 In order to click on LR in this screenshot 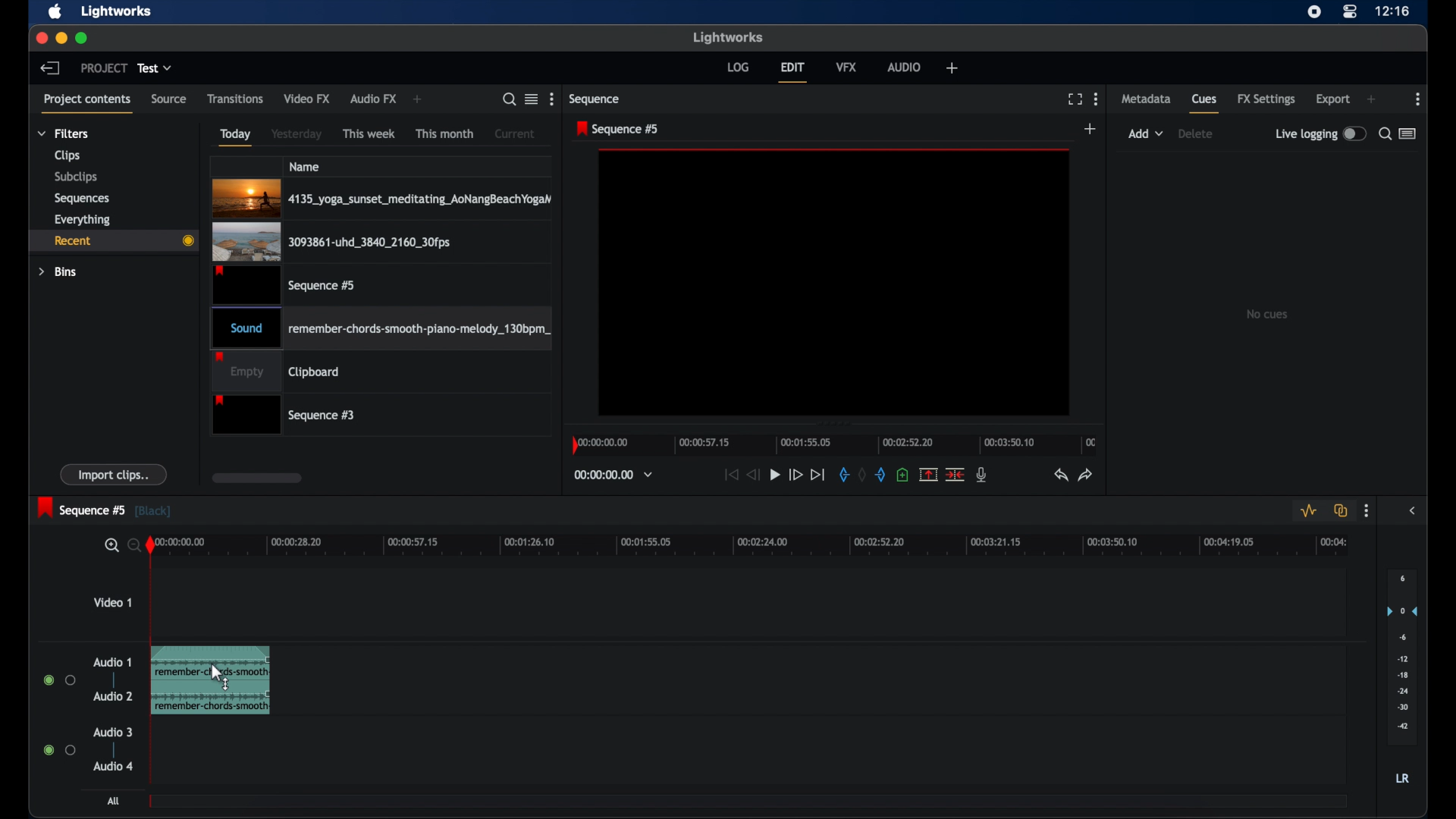, I will do `click(1402, 778)`.